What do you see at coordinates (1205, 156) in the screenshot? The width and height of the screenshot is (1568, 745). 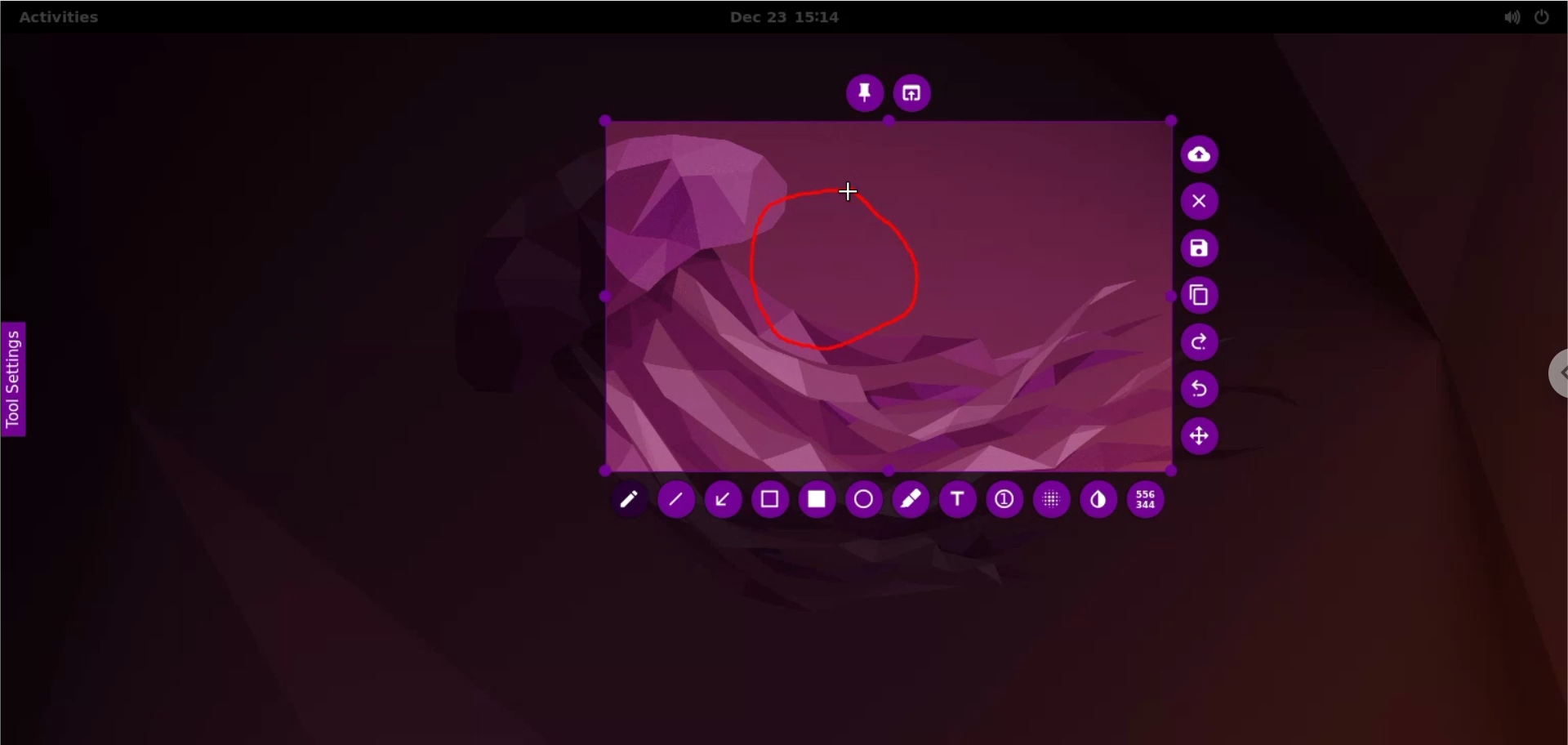 I see `upload` at bounding box center [1205, 156].